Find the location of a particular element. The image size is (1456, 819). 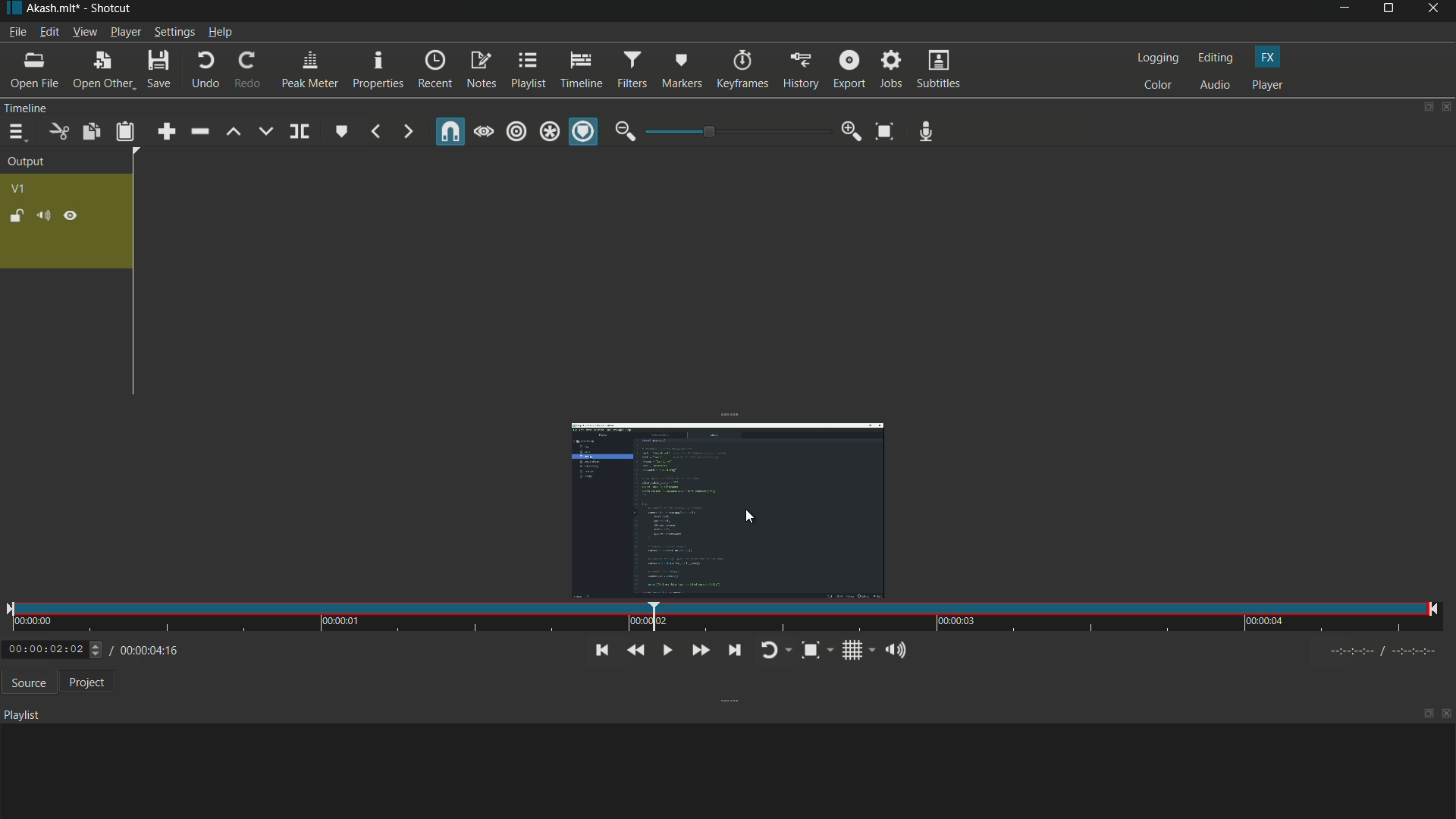

timeline is located at coordinates (581, 68).